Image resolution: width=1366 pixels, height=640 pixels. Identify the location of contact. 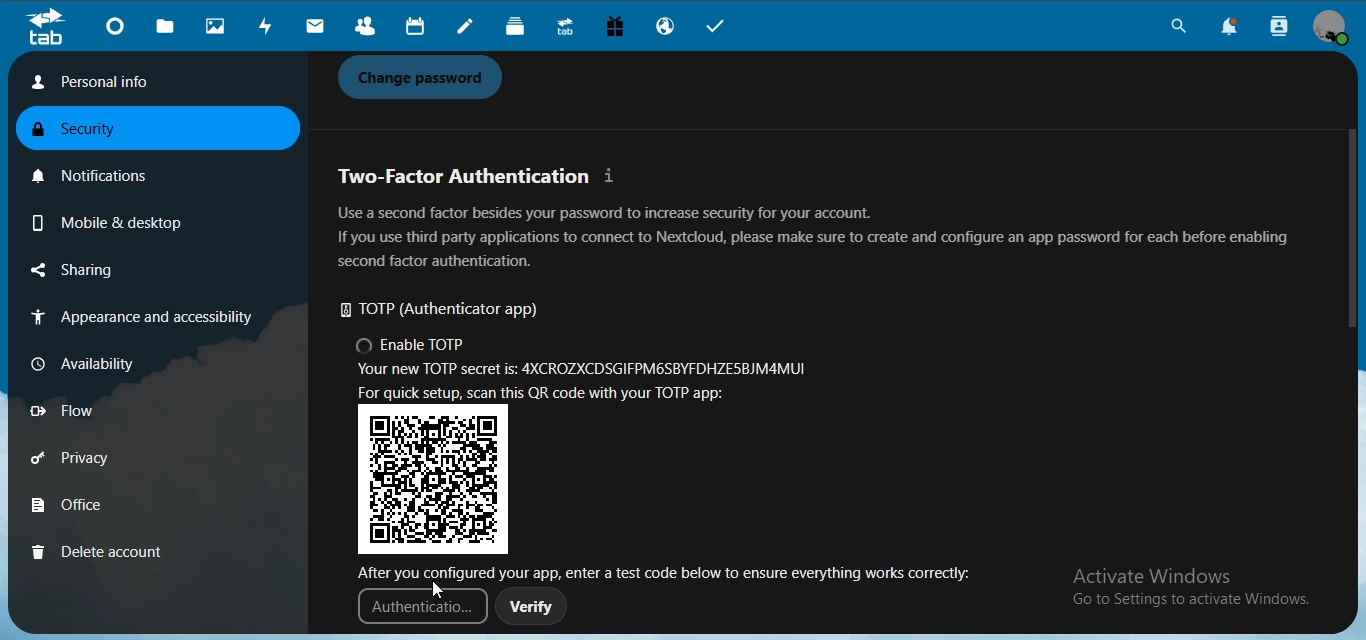
(365, 27).